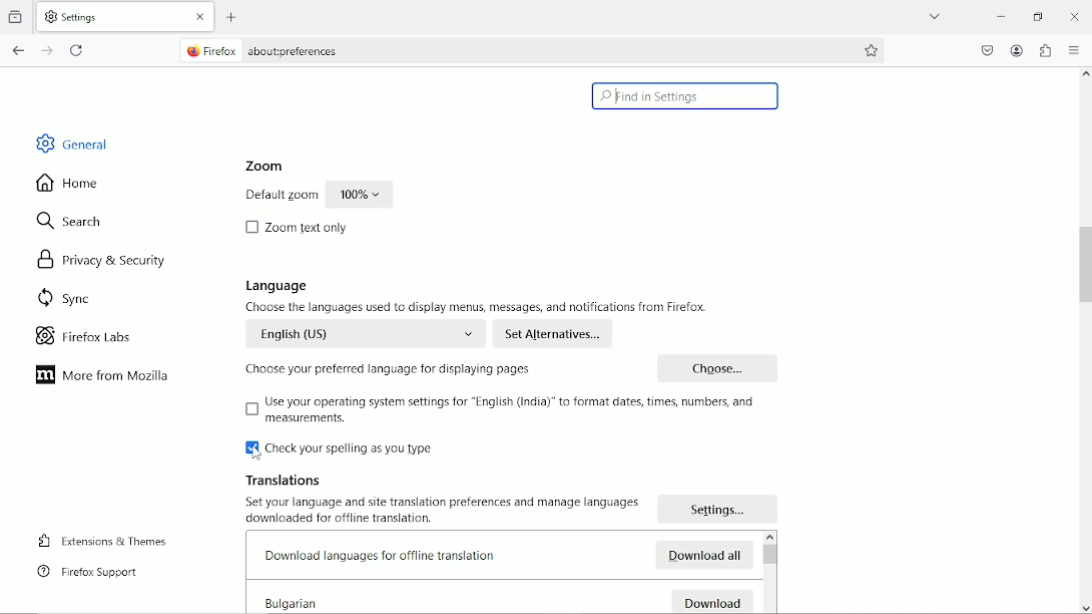 Image resolution: width=1092 pixels, height=614 pixels. What do you see at coordinates (711, 602) in the screenshot?
I see `Download` at bounding box center [711, 602].